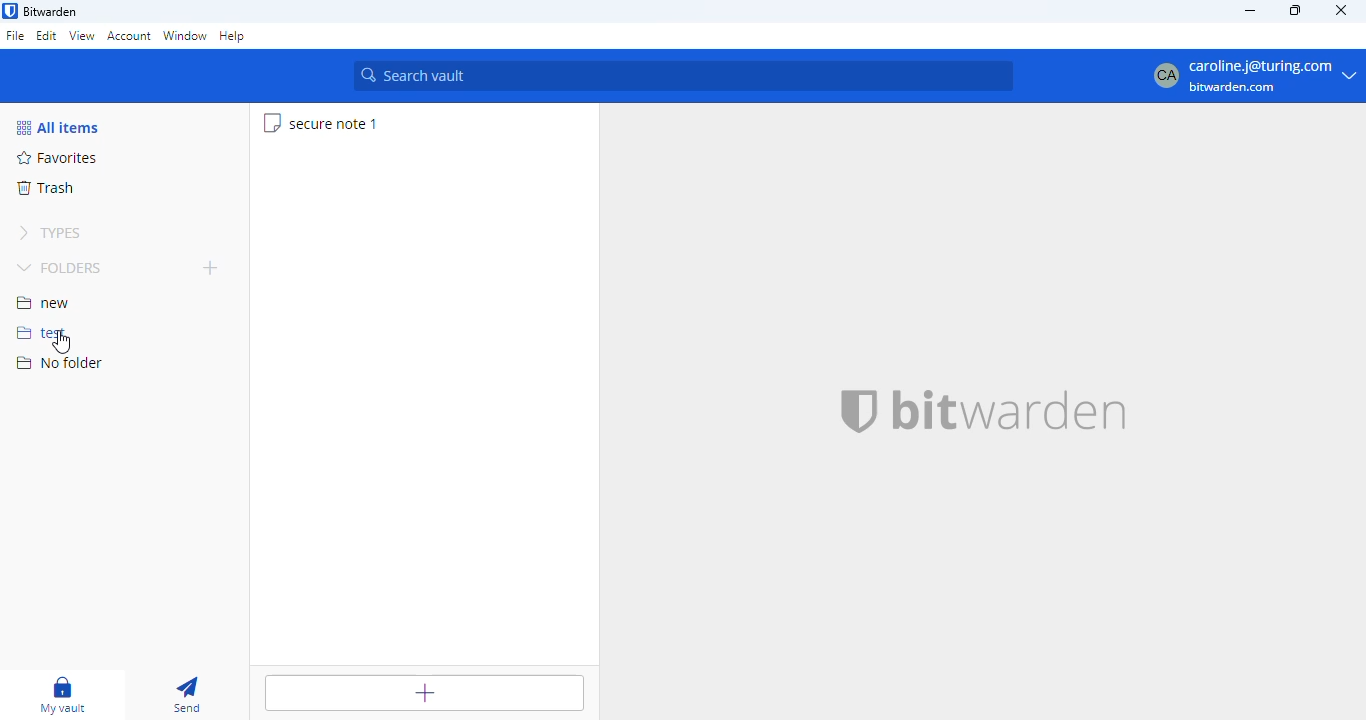 This screenshot has width=1366, height=720. What do you see at coordinates (1253, 77) in the screenshot?
I see `profile` at bounding box center [1253, 77].